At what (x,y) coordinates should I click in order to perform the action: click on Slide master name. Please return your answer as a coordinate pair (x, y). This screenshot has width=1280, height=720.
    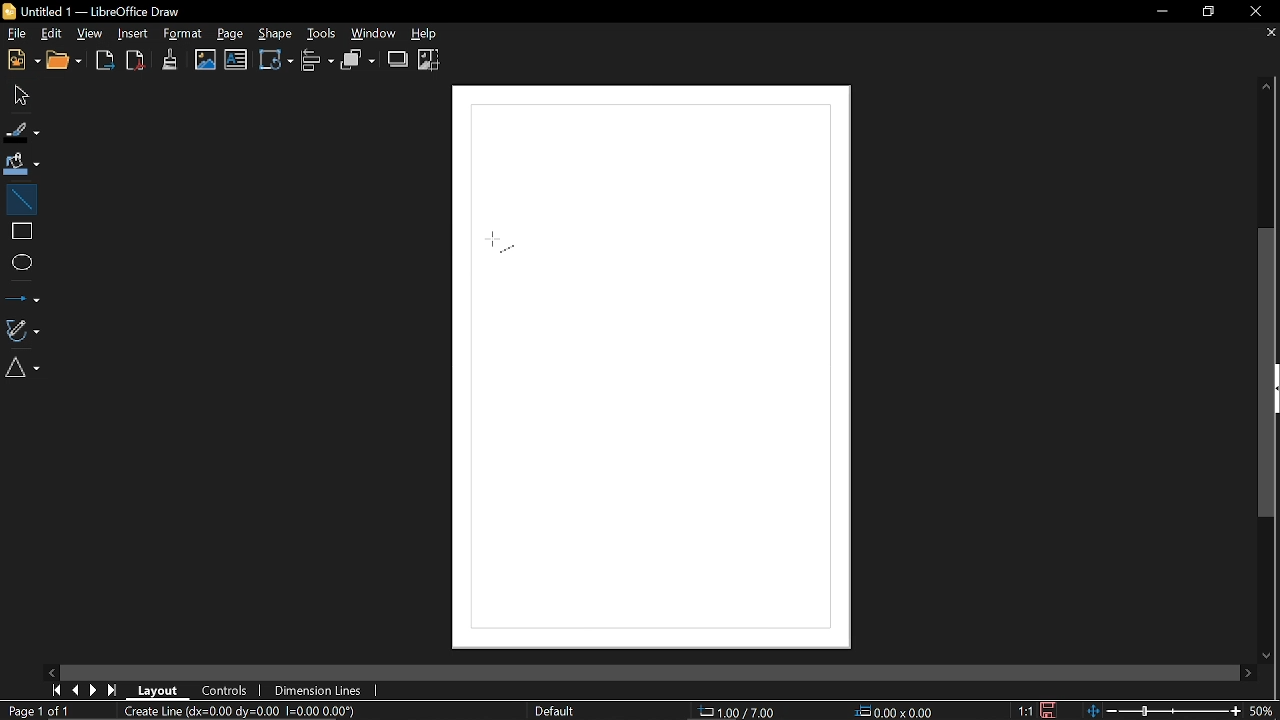
    Looking at the image, I should click on (572, 710).